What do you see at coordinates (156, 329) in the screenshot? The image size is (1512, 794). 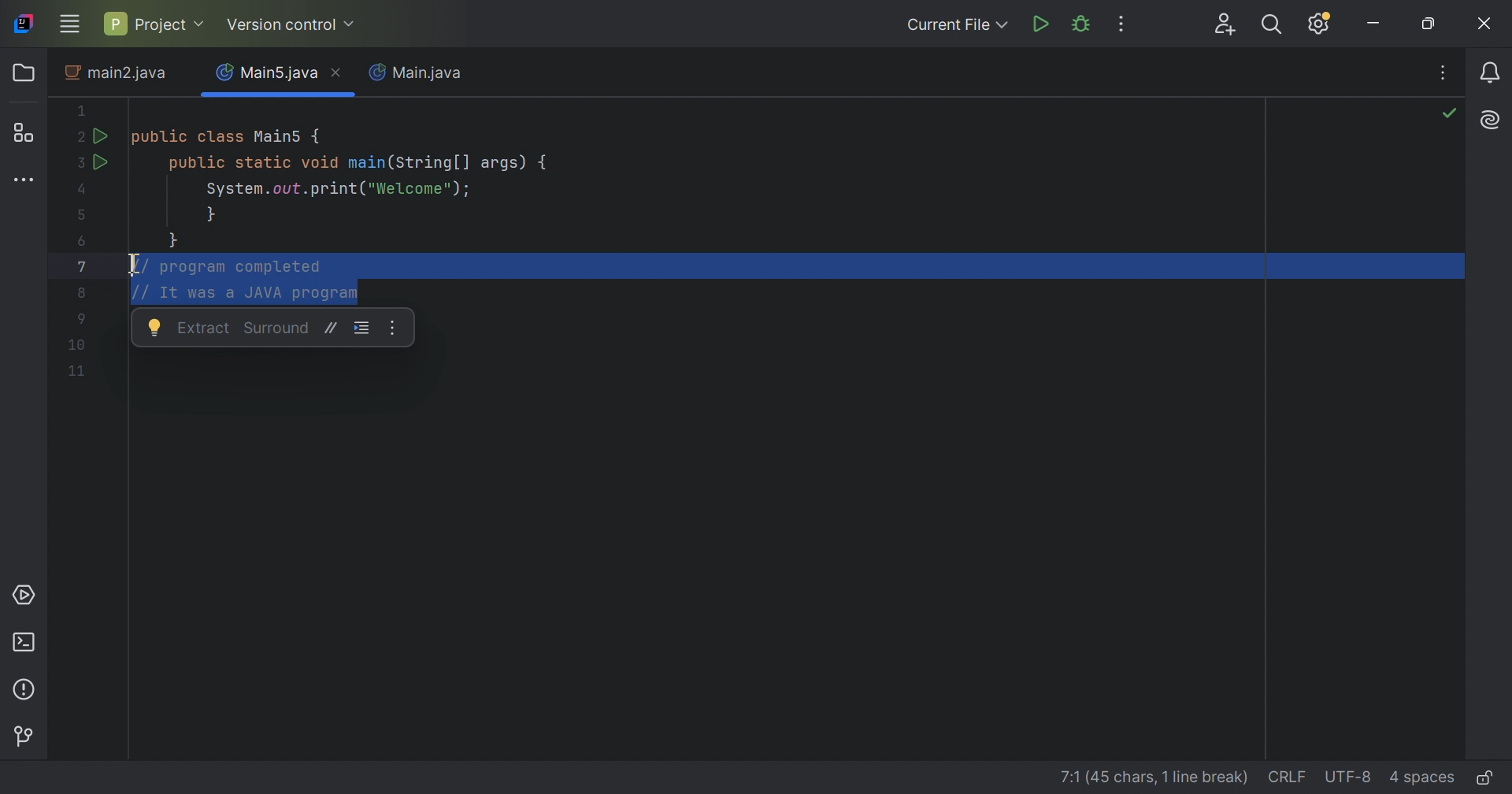 I see `Ask` at bounding box center [156, 329].